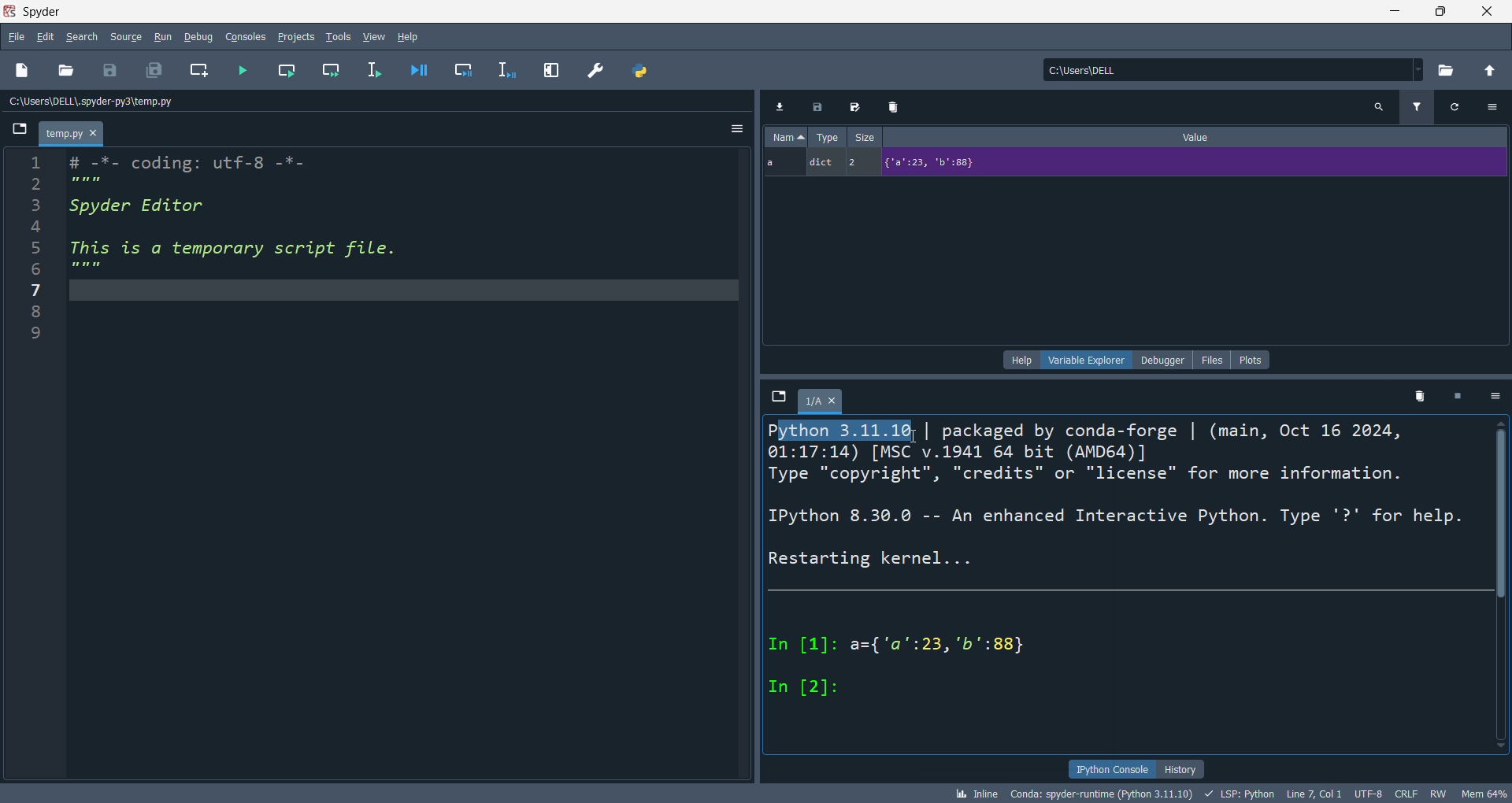 The height and width of the screenshot is (803, 1512). What do you see at coordinates (848, 431) in the screenshot?
I see `selected text: ython 3.11.10` at bounding box center [848, 431].